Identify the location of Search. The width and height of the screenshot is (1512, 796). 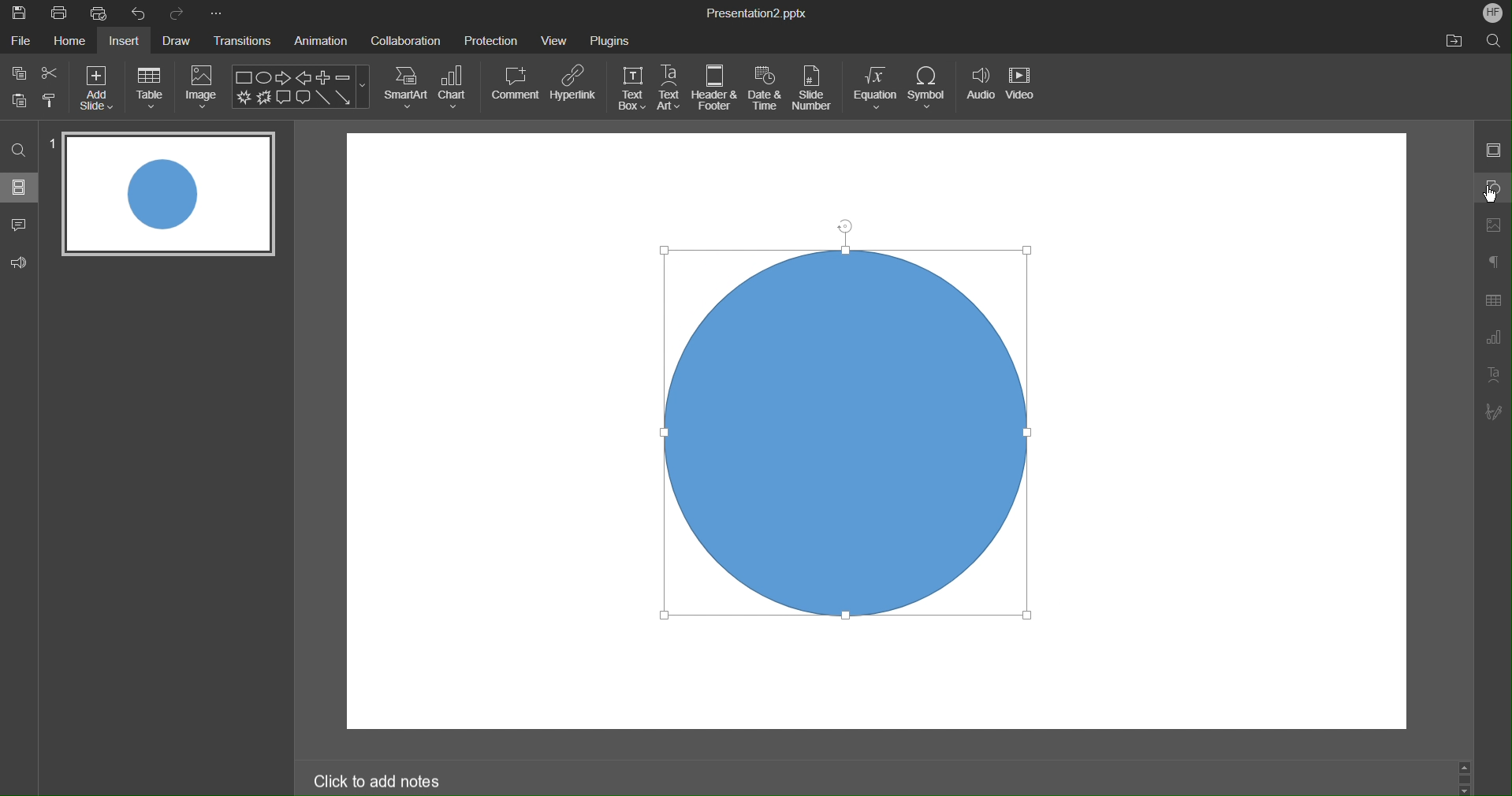
(1494, 40).